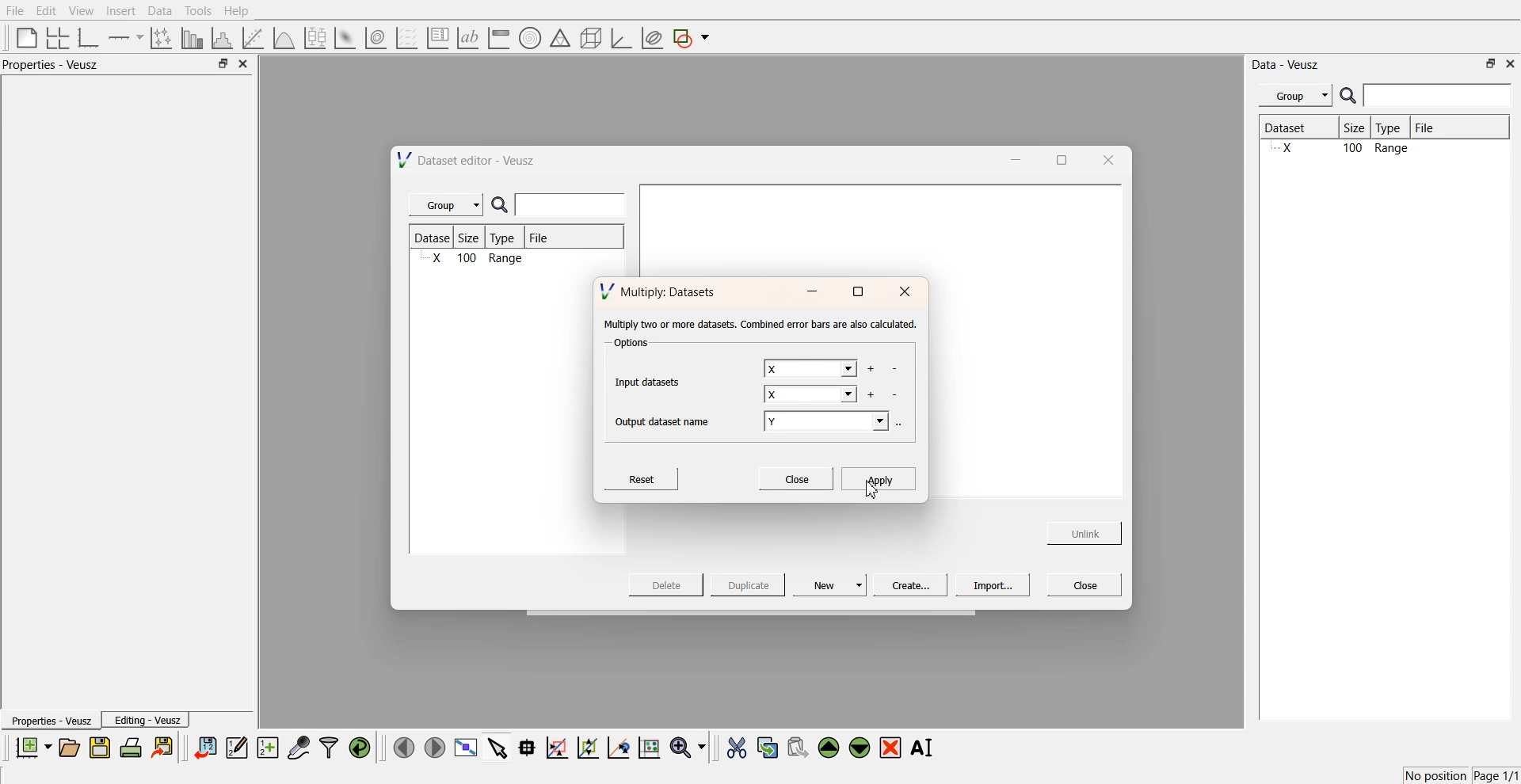 The width and height of the screenshot is (1521, 784). I want to click on Multiply: Datasets, so click(660, 290).